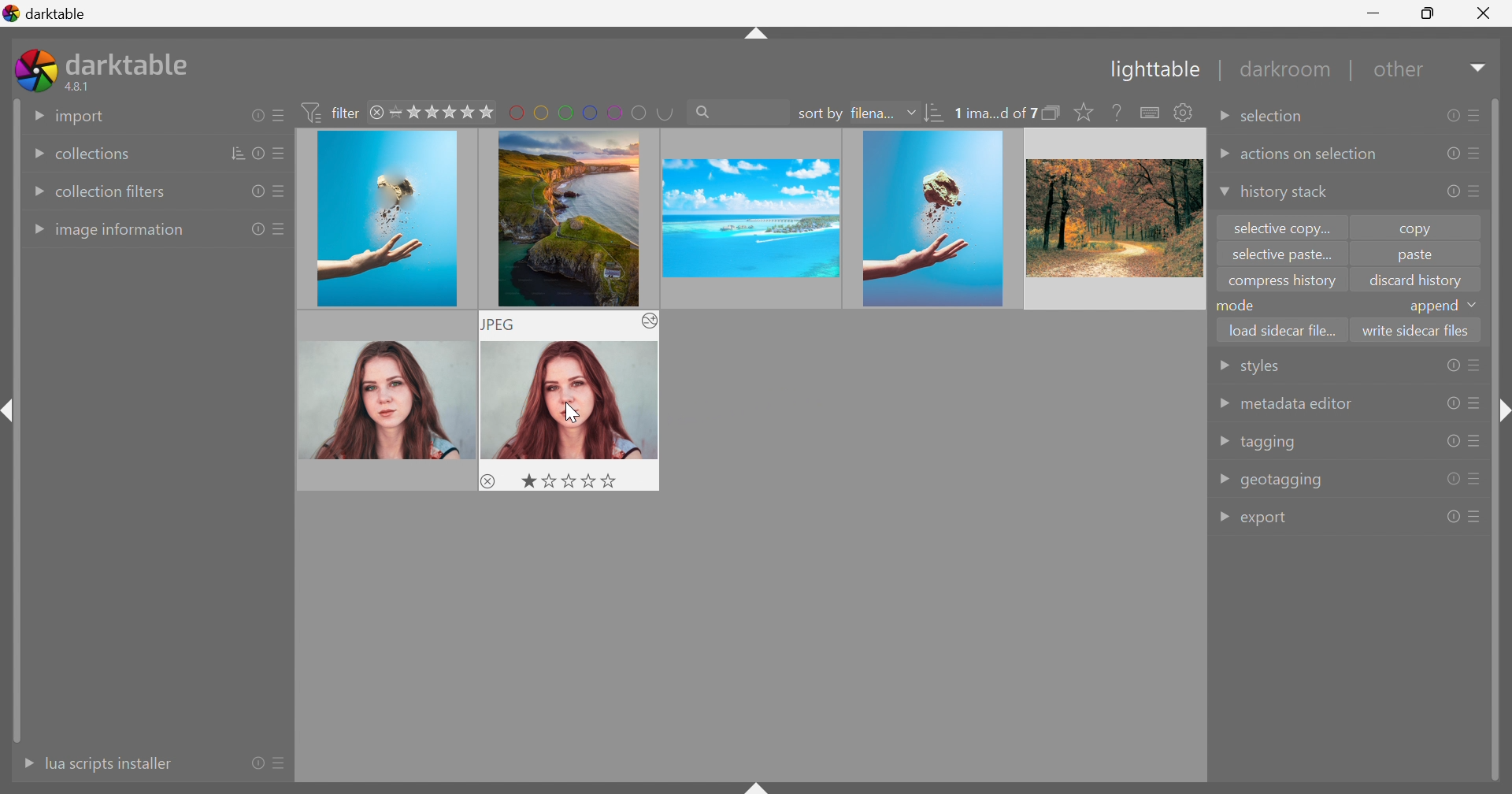 Image resolution: width=1512 pixels, height=794 pixels. I want to click on actions on selection, so click(1310, 155).